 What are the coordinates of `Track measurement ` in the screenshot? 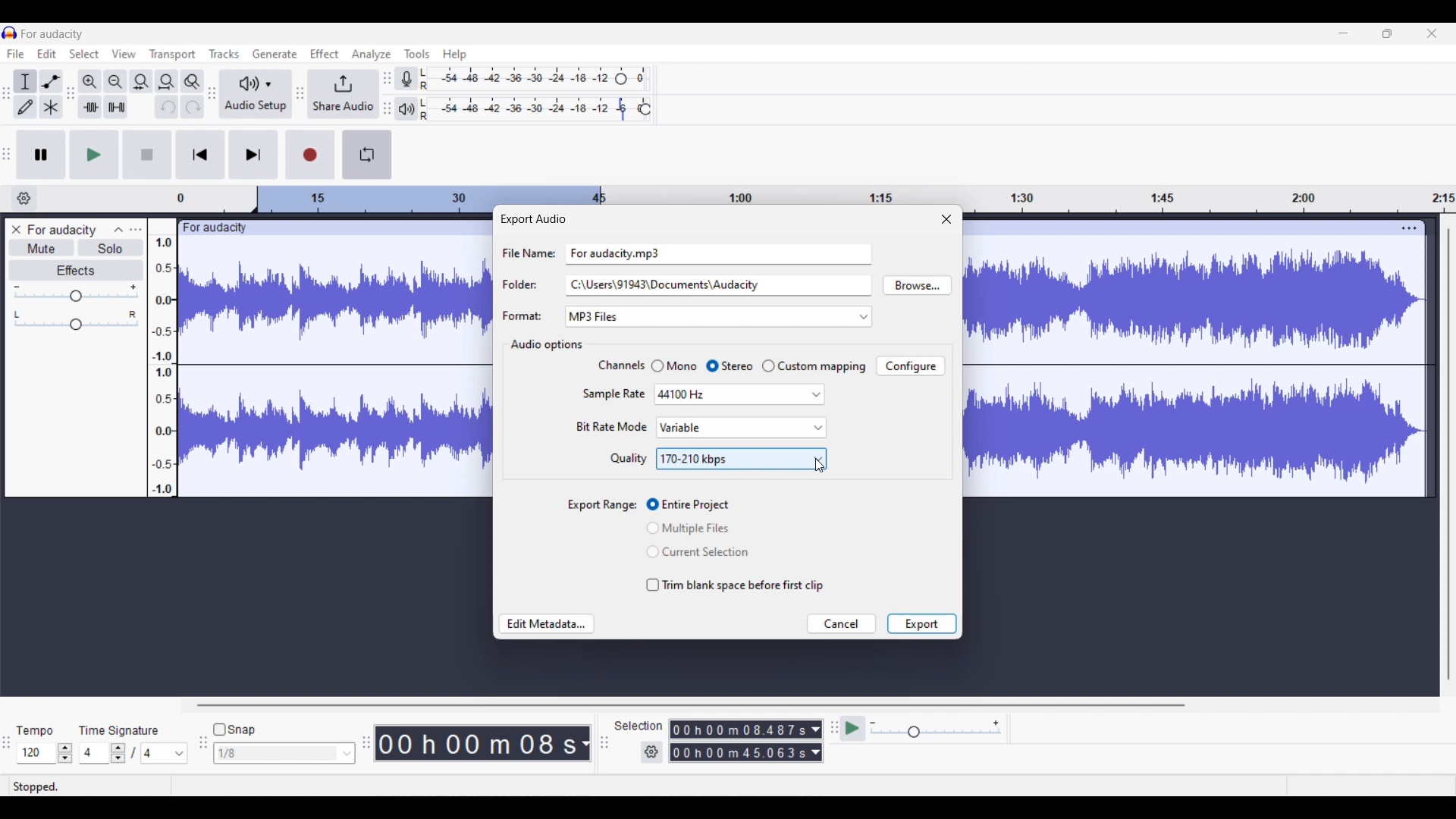 It's located at (584, 743).